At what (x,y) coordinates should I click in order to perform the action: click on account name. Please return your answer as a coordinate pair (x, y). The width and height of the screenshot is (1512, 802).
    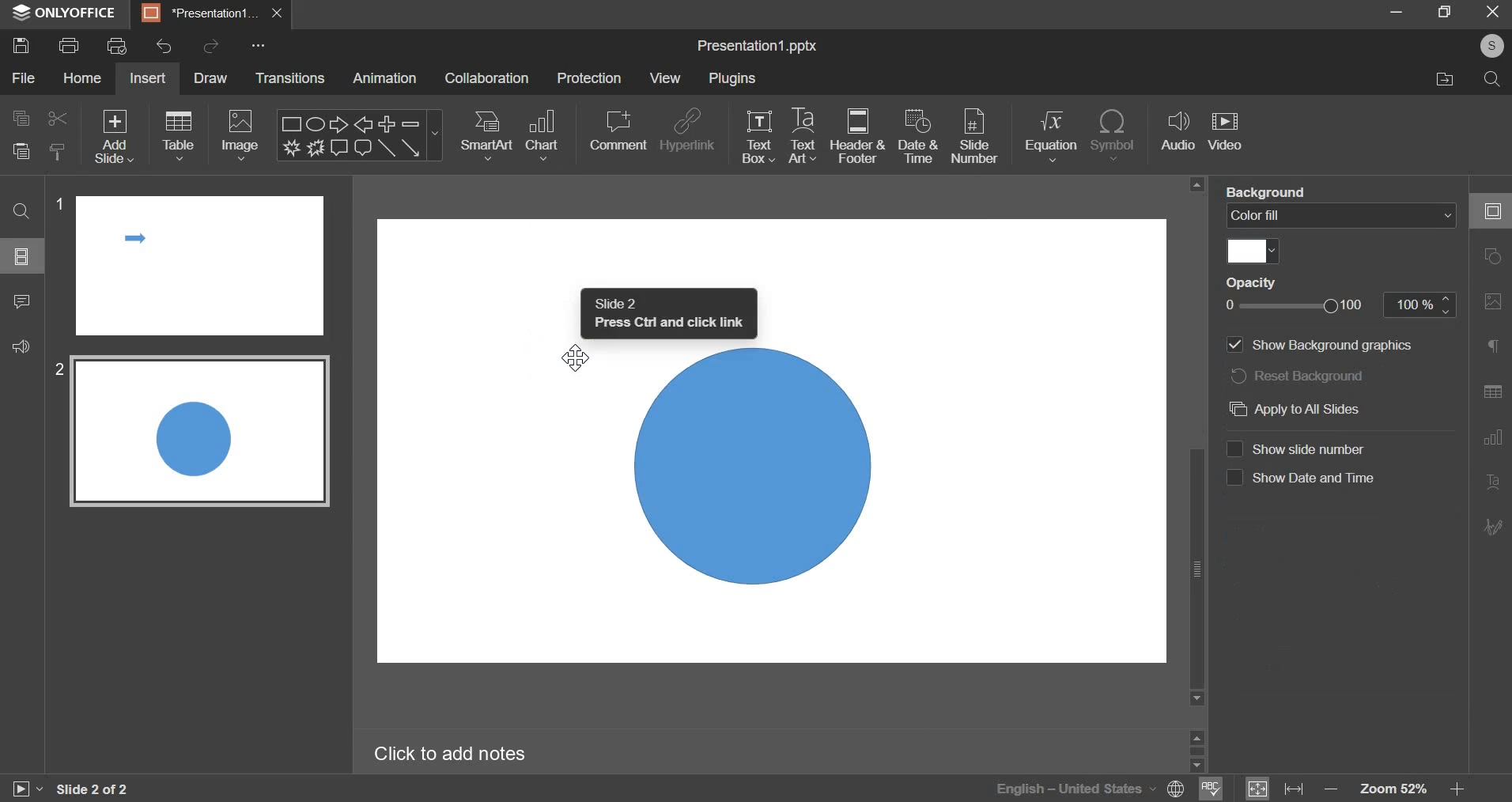
    Looking at the image, I should click on (1491, 46).